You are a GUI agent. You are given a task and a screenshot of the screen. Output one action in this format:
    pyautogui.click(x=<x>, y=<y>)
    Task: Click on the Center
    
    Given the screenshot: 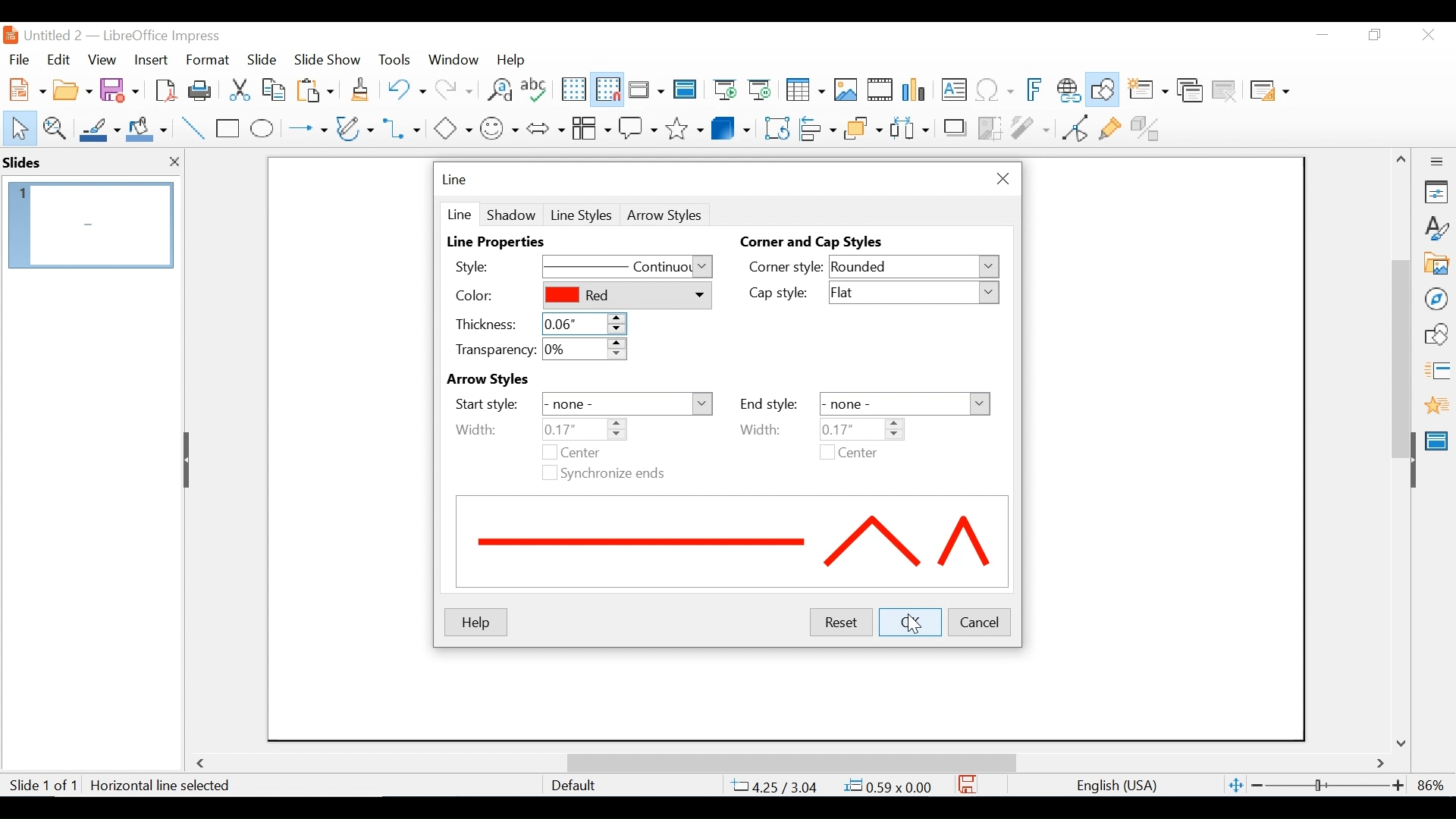 What is the action you would take?
    pyautogui.click(x=595, y=452)
    